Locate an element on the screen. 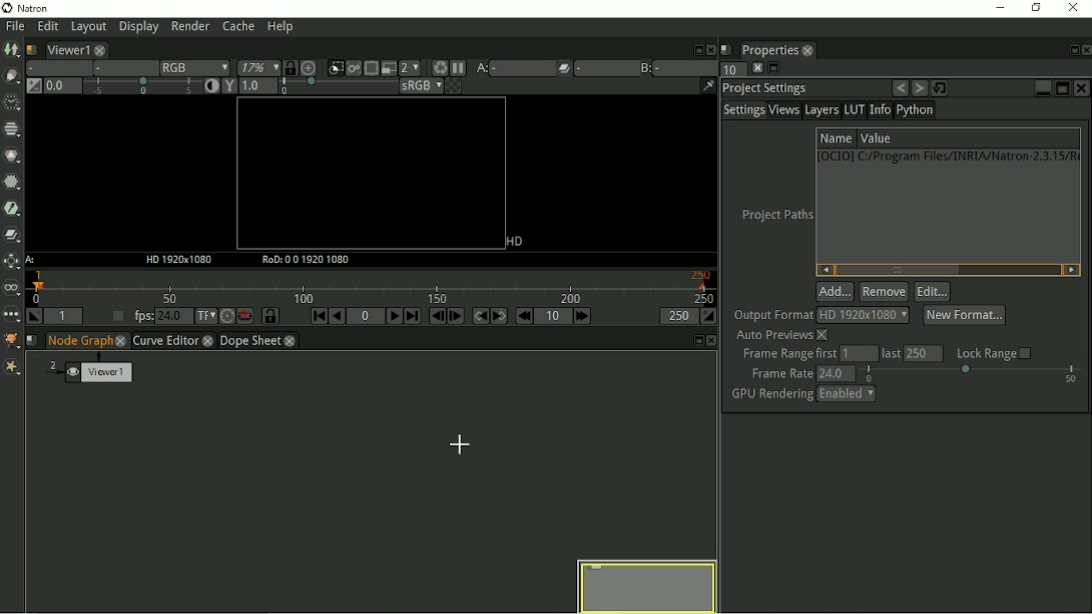 This screenshot has height=614, width=1092. Time is located at coordinates (10, 101).